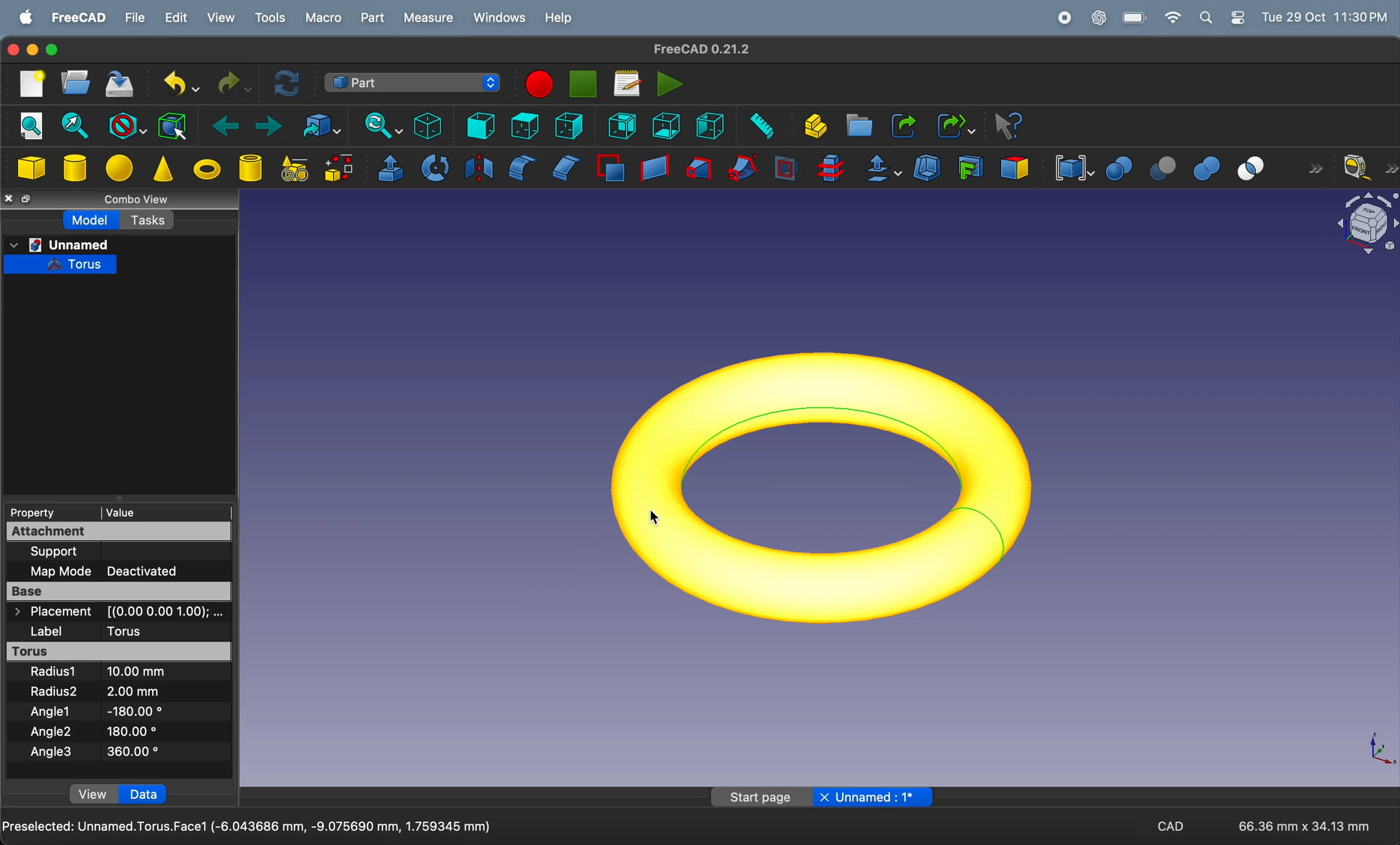 This screenshot has width=1400, height=845. Describe the element at coordinates (927, 167) in the screenshot. I see `thickness ` at that location.